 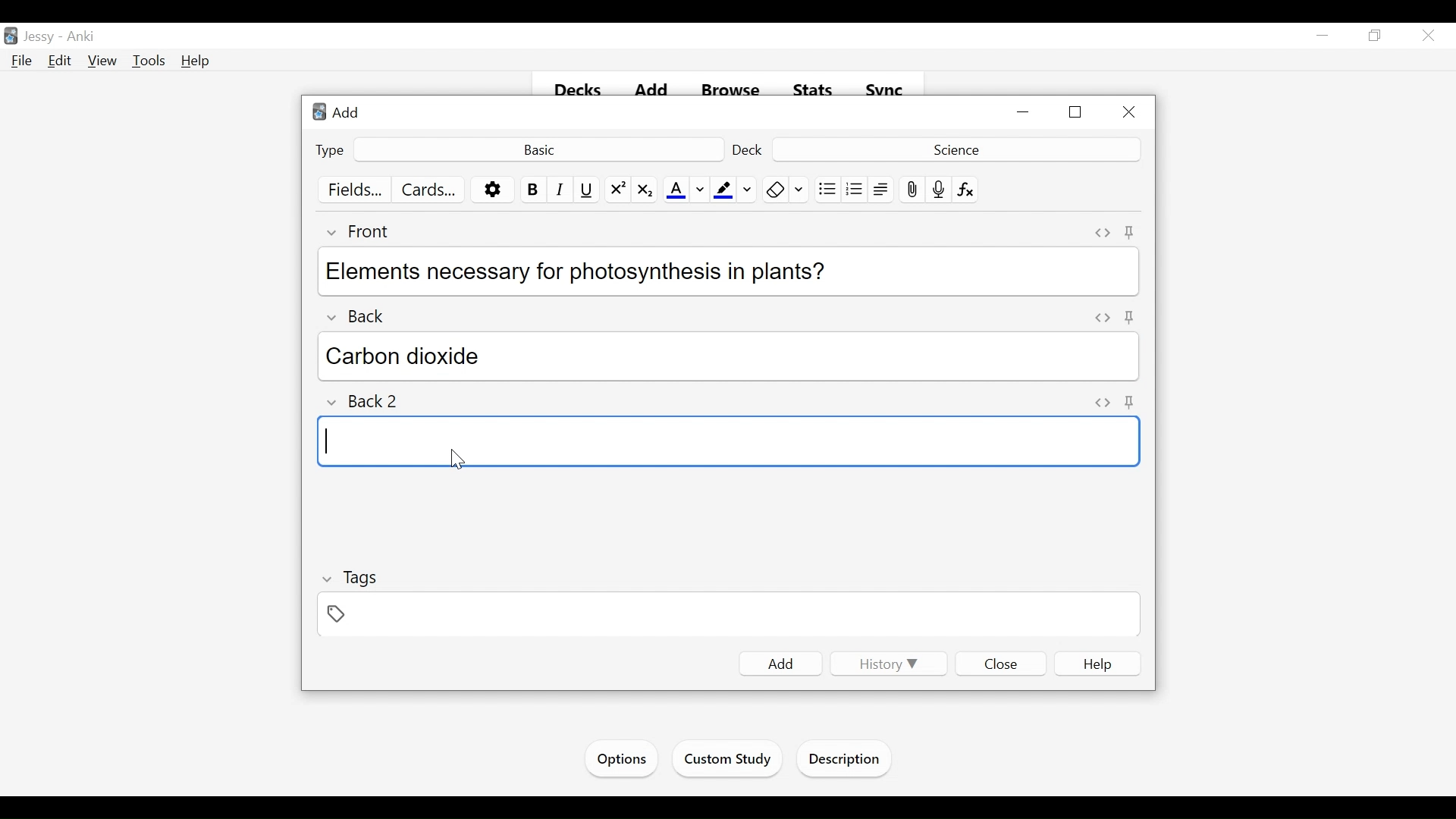 What do you see at coordinates (644, 190) in the screenshot?
I see `Subscript` at bounding box center [644, 190].